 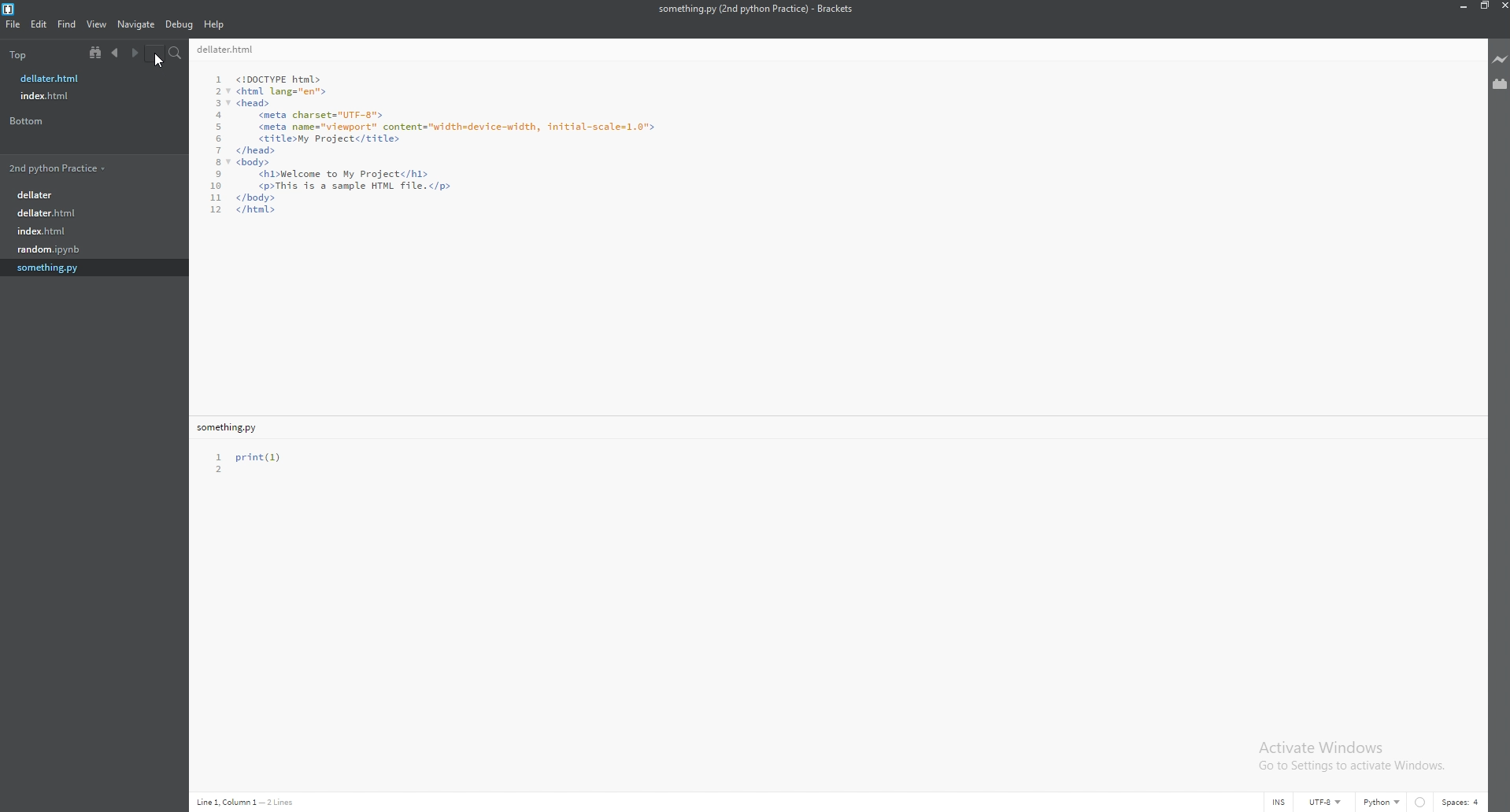 What do you see at coordinates (154, 52) in the screenshot?
I see `split view` at bounding box center [154, 52].